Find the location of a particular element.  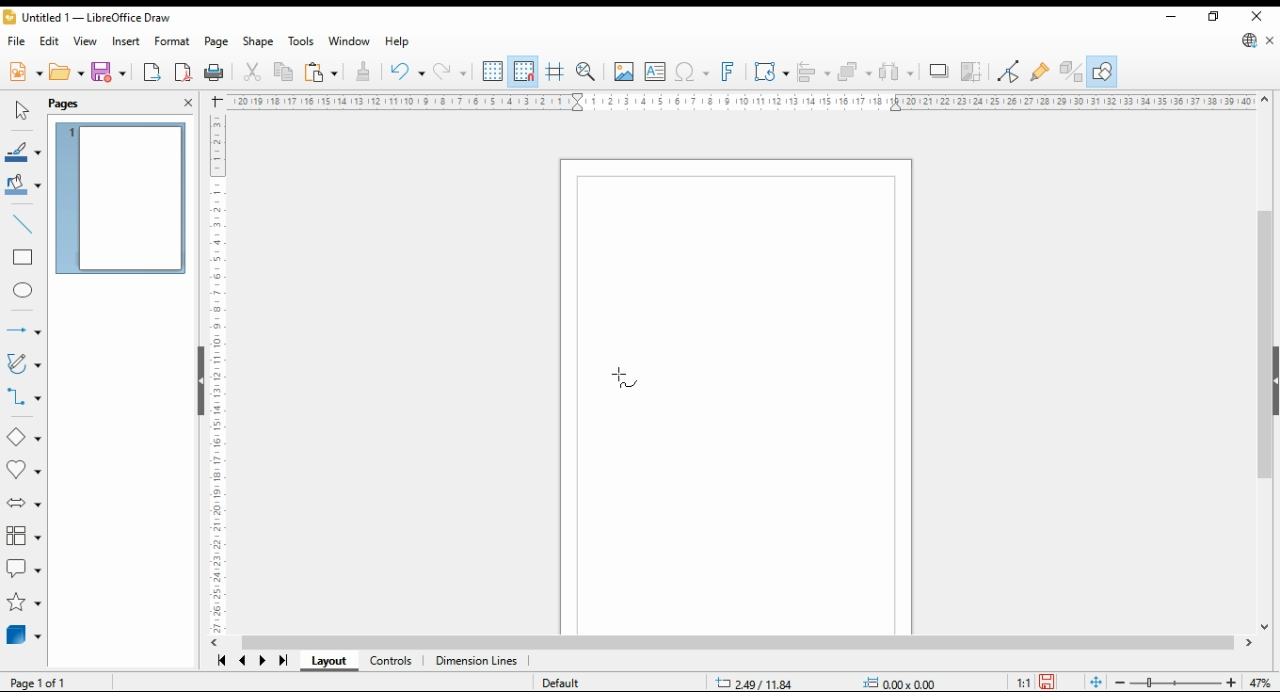

edit is located at coordinates (50, 41).